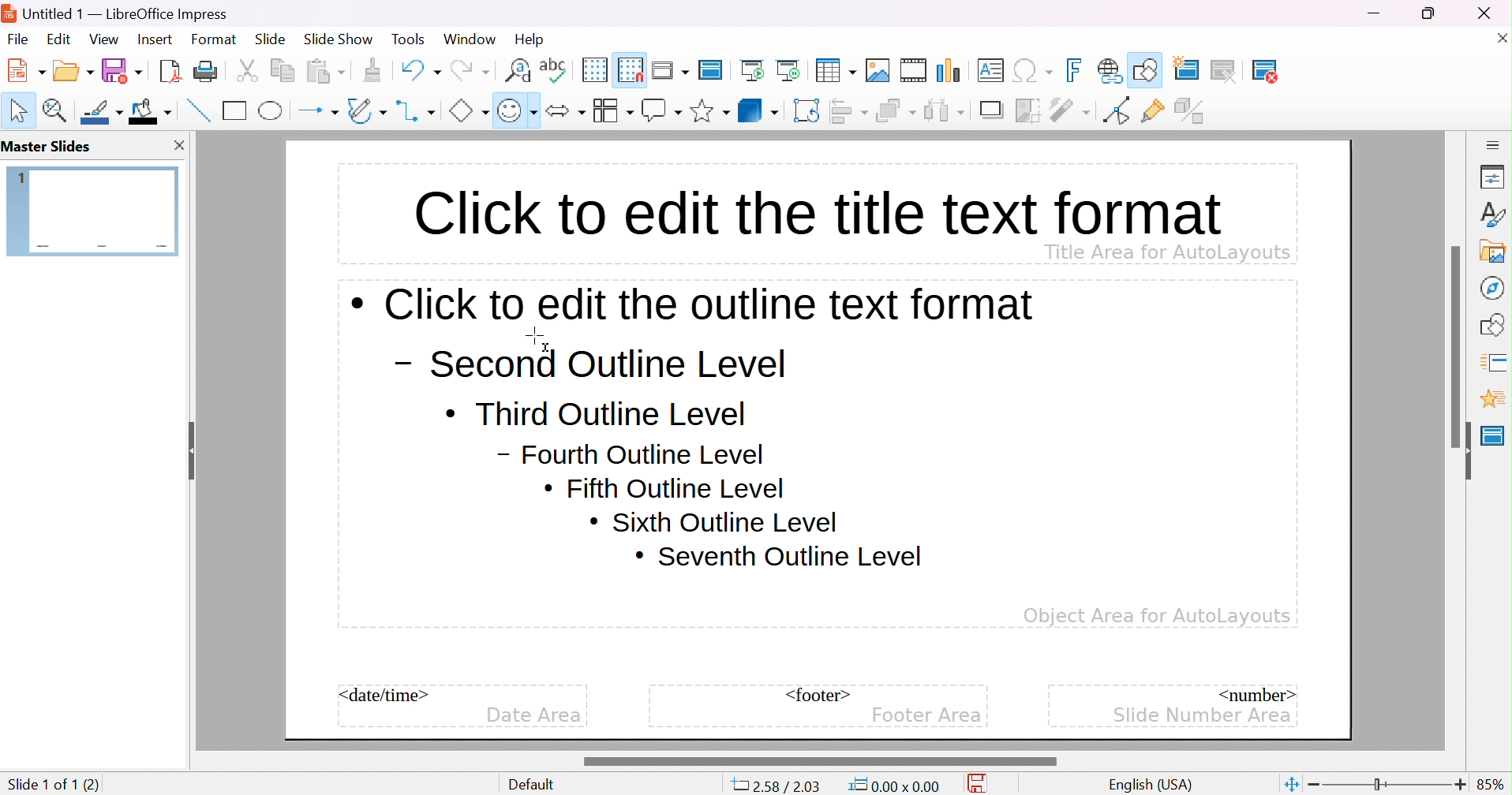 The image size is (1512, 795). Describe the element at coordinates (878, 70) in the screenshot. I see `insert image` at that location.